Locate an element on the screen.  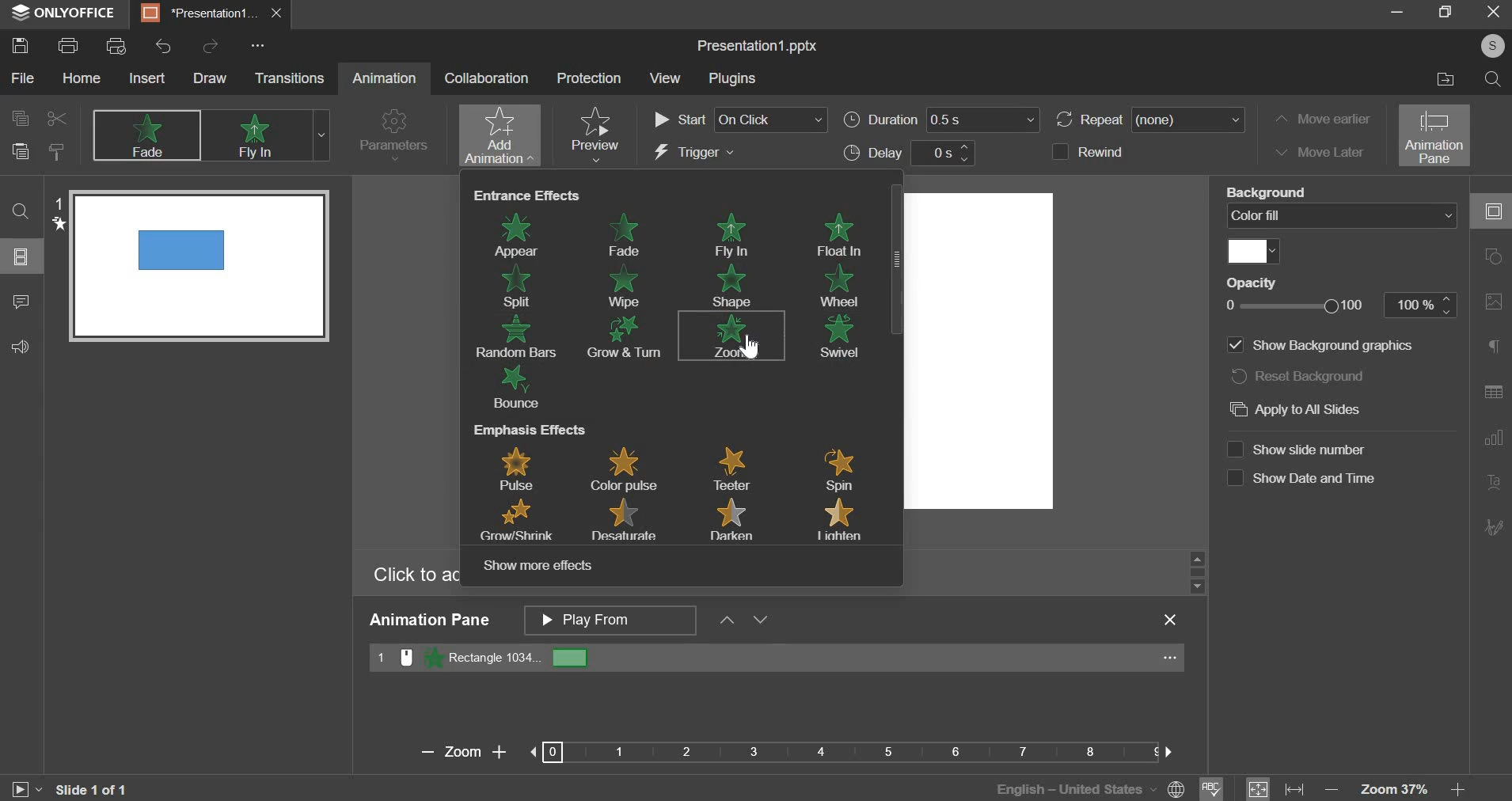
paste is located at coordinates (21, 152).